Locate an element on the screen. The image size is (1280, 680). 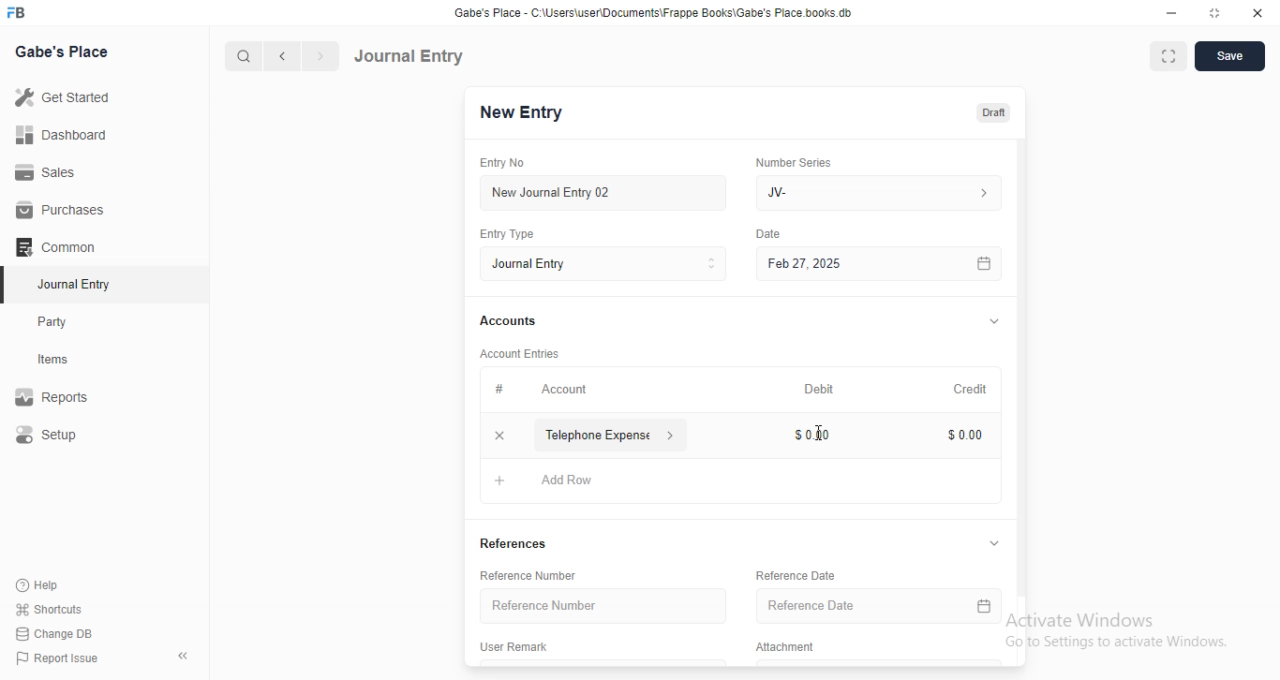
Purchases is located at coordinates (56, 208).